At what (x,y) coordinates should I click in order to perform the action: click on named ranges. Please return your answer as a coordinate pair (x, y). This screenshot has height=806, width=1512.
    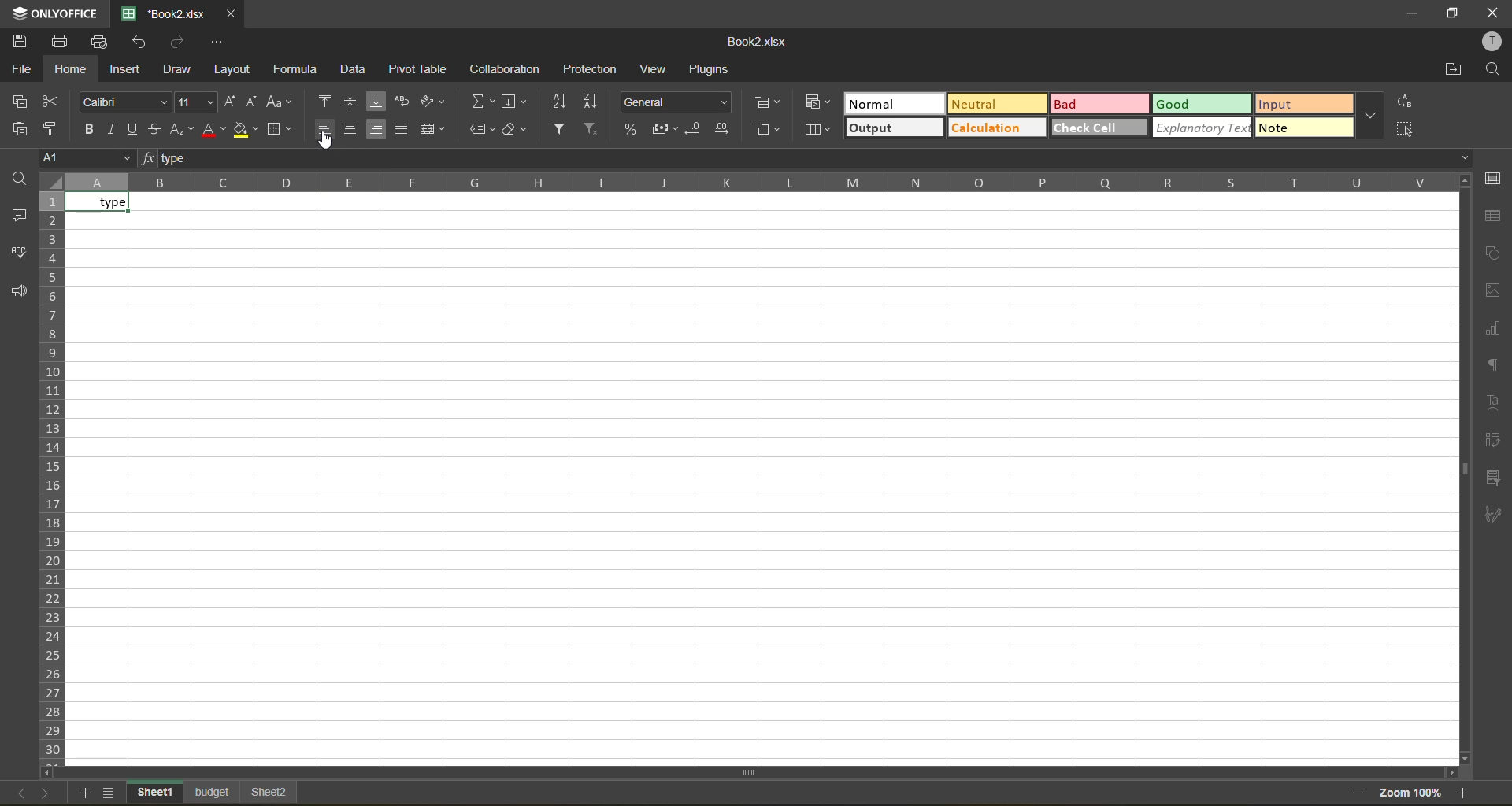
    Looking at the image, I should click on (480, 129).